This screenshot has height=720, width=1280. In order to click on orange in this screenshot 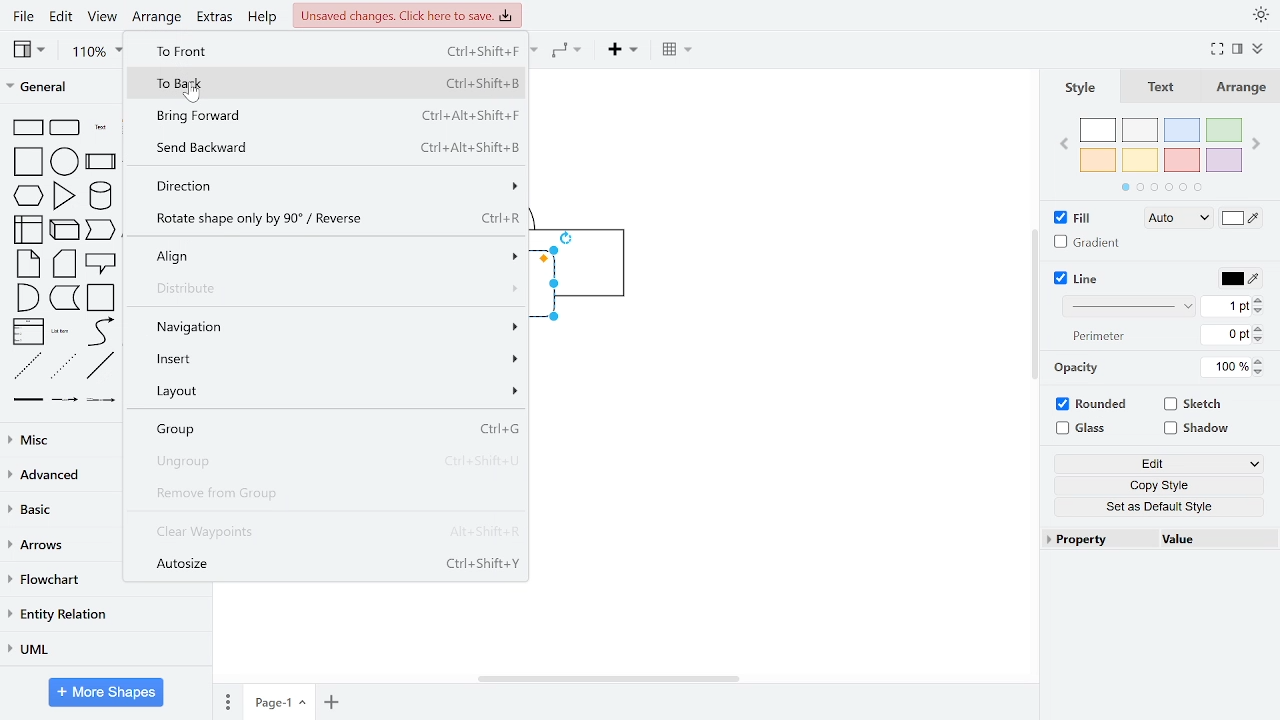, I will do `click(1098, 159)`.